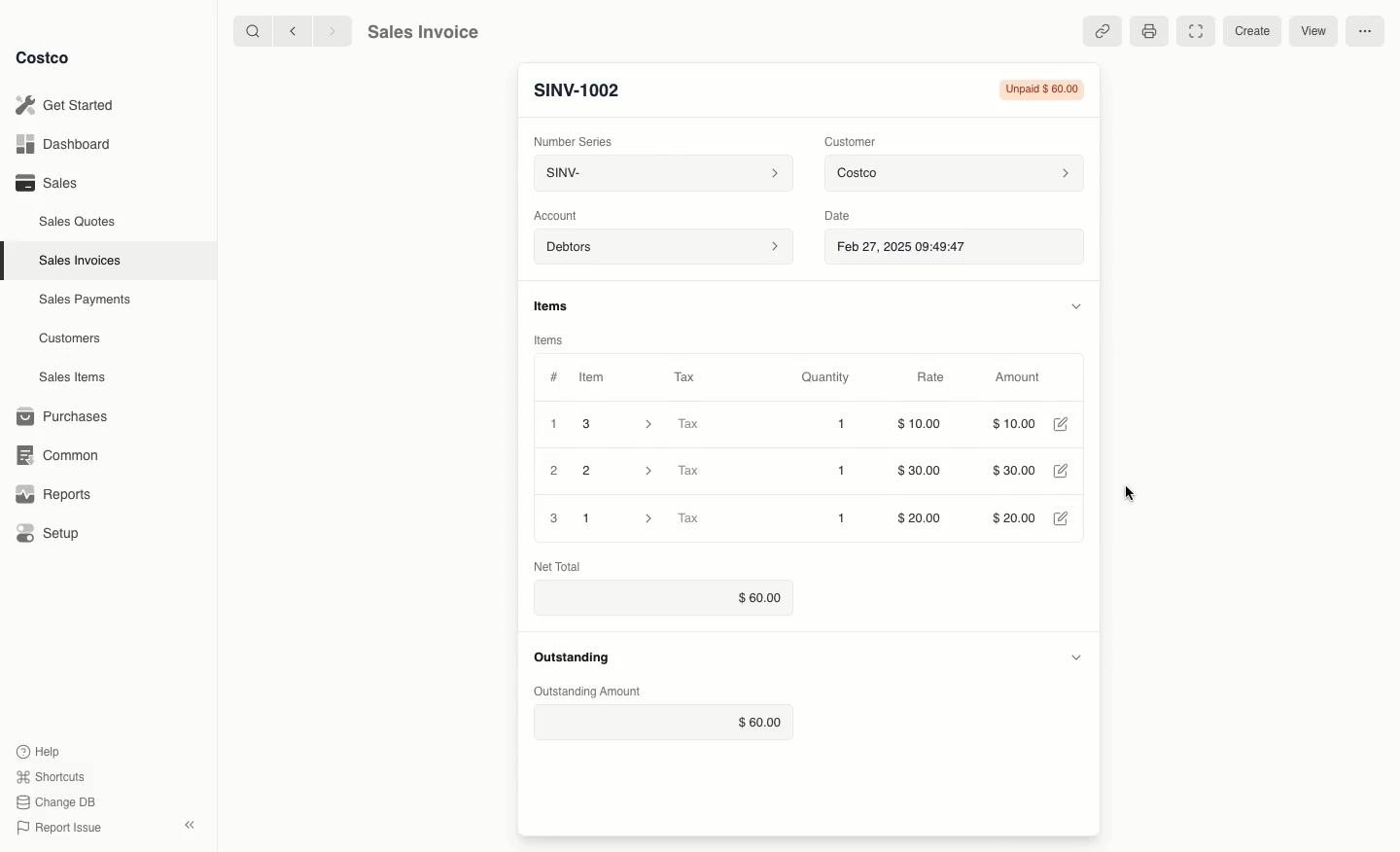  What do you see at coordinates (559, 214) in the screenshot?
I see `‘Account` at bounding box center [559, 214].